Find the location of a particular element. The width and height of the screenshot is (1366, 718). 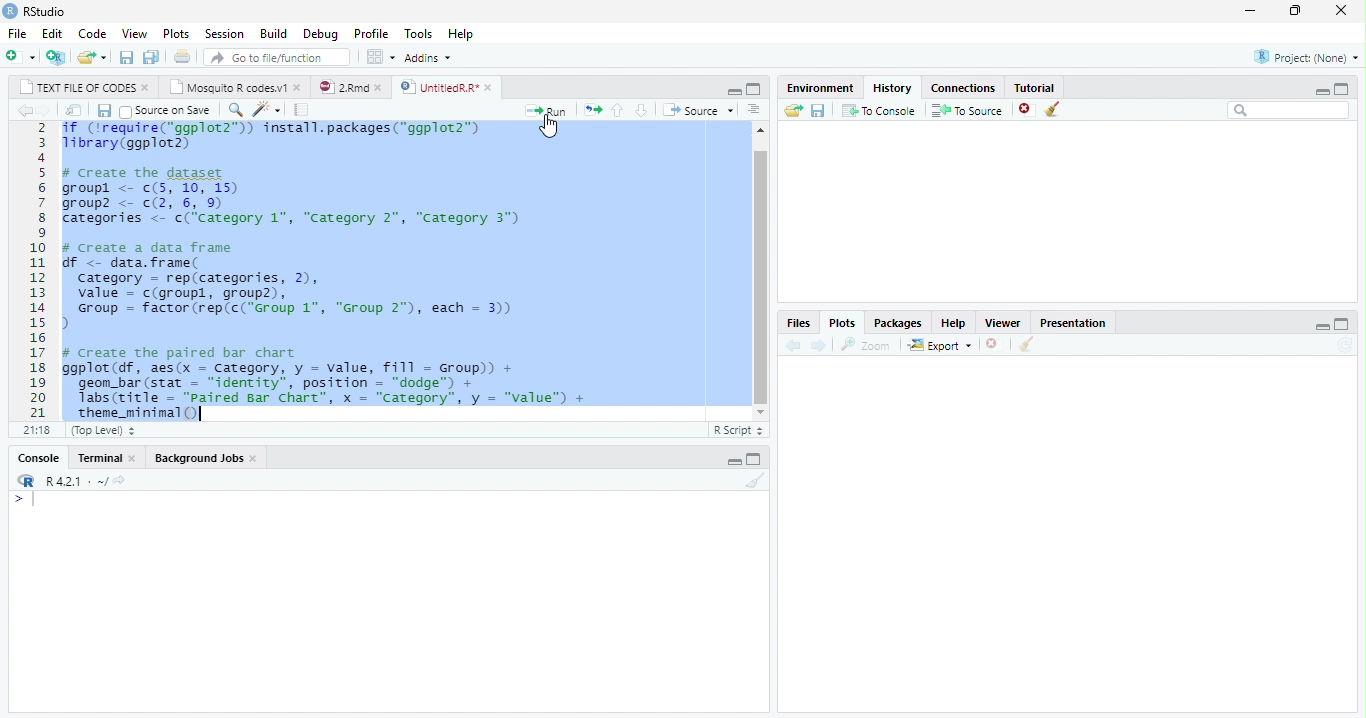

maximize is located at coordinates (1295, 11).